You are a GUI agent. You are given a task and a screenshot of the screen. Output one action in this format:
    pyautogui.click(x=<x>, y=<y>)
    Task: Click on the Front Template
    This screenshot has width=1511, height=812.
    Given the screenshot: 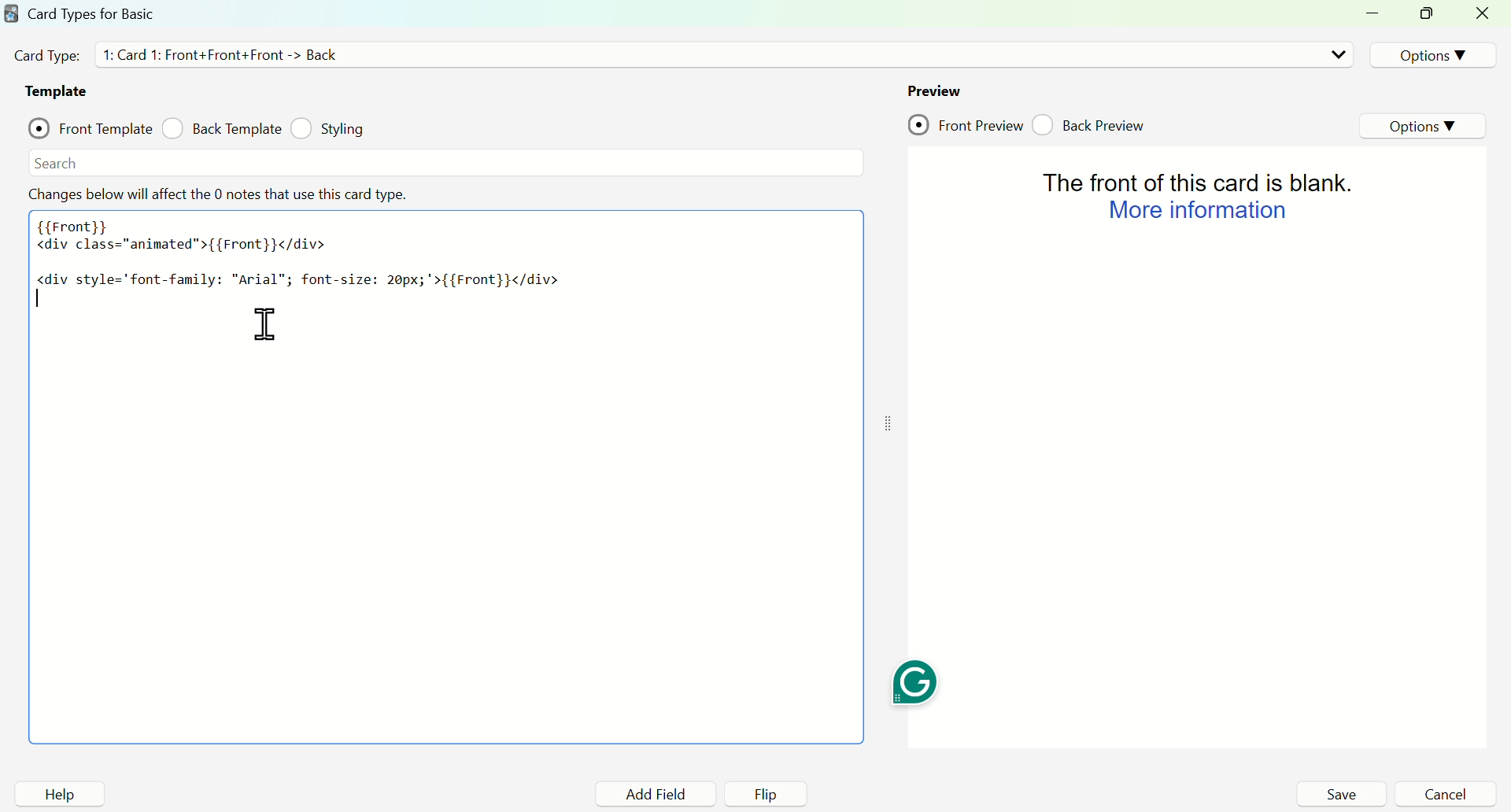 What is the action you would take?
    pyautogui.click(x=91, y=126)
    